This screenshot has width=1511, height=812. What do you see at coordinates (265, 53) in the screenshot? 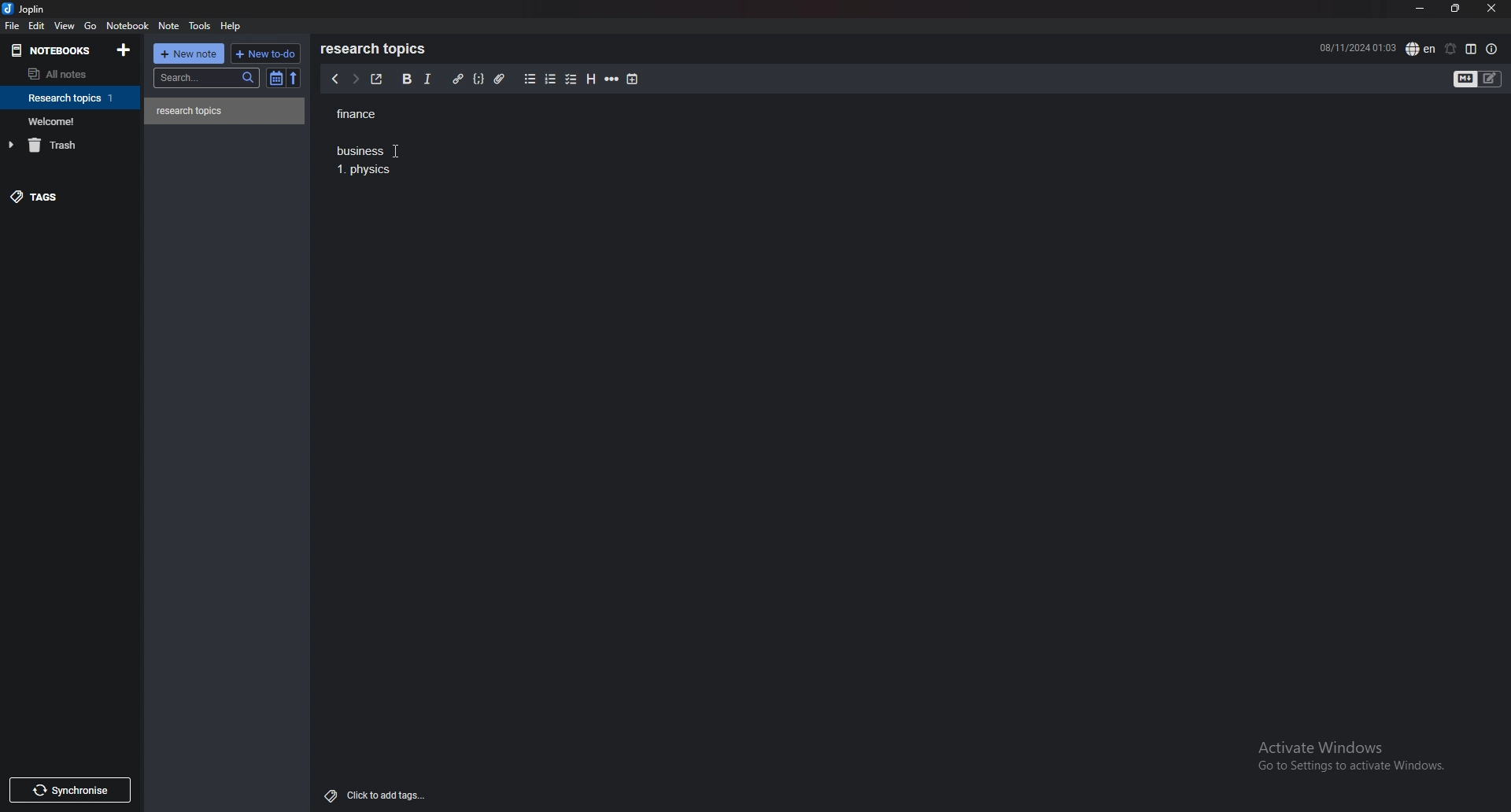
I see `new todo` at bounding box center [265, 53].